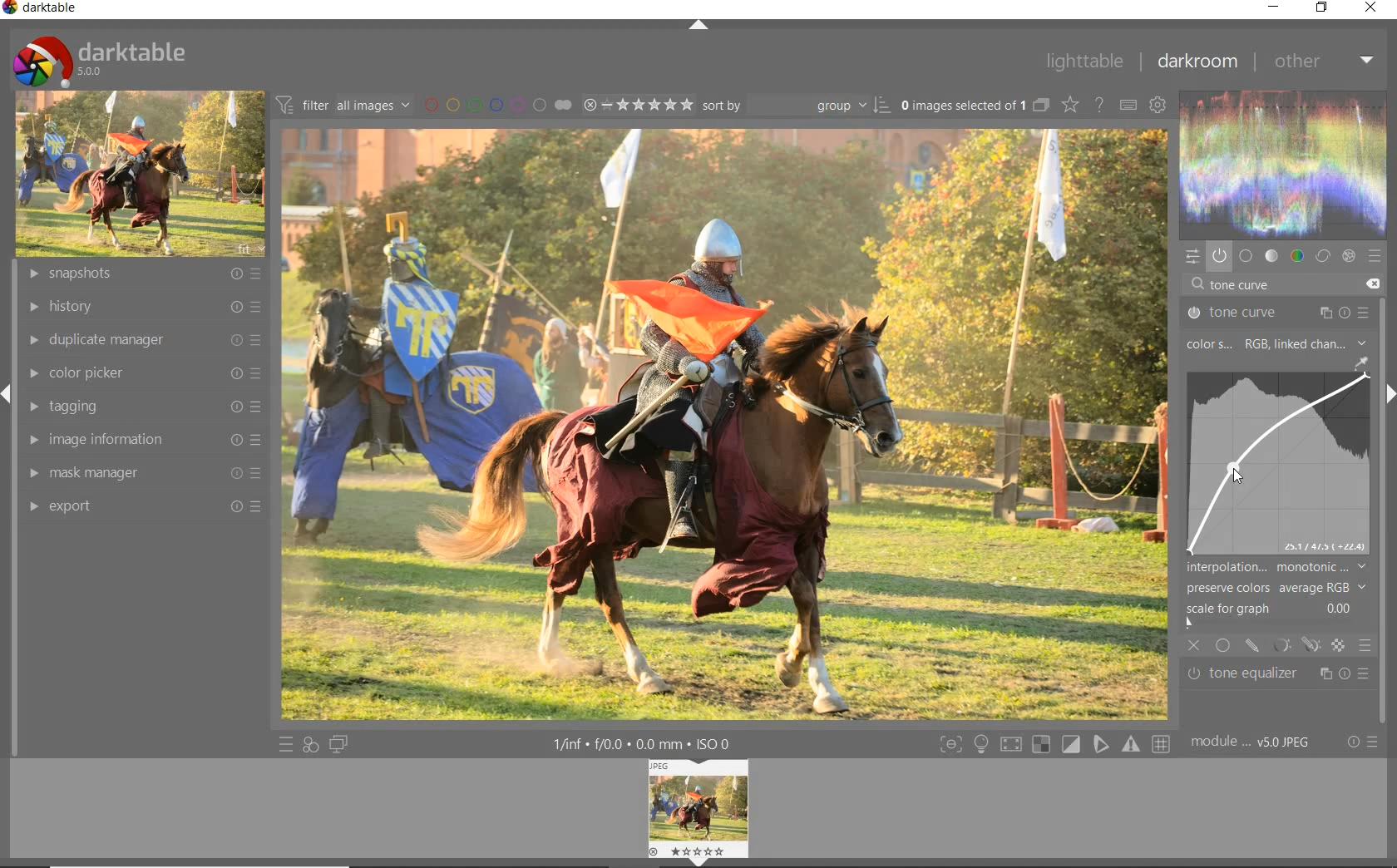 This screenshot has width=1397, height=868. Describe the element at coordinates (1224, 645) in the screenshot. I see `uniformly` at that location.